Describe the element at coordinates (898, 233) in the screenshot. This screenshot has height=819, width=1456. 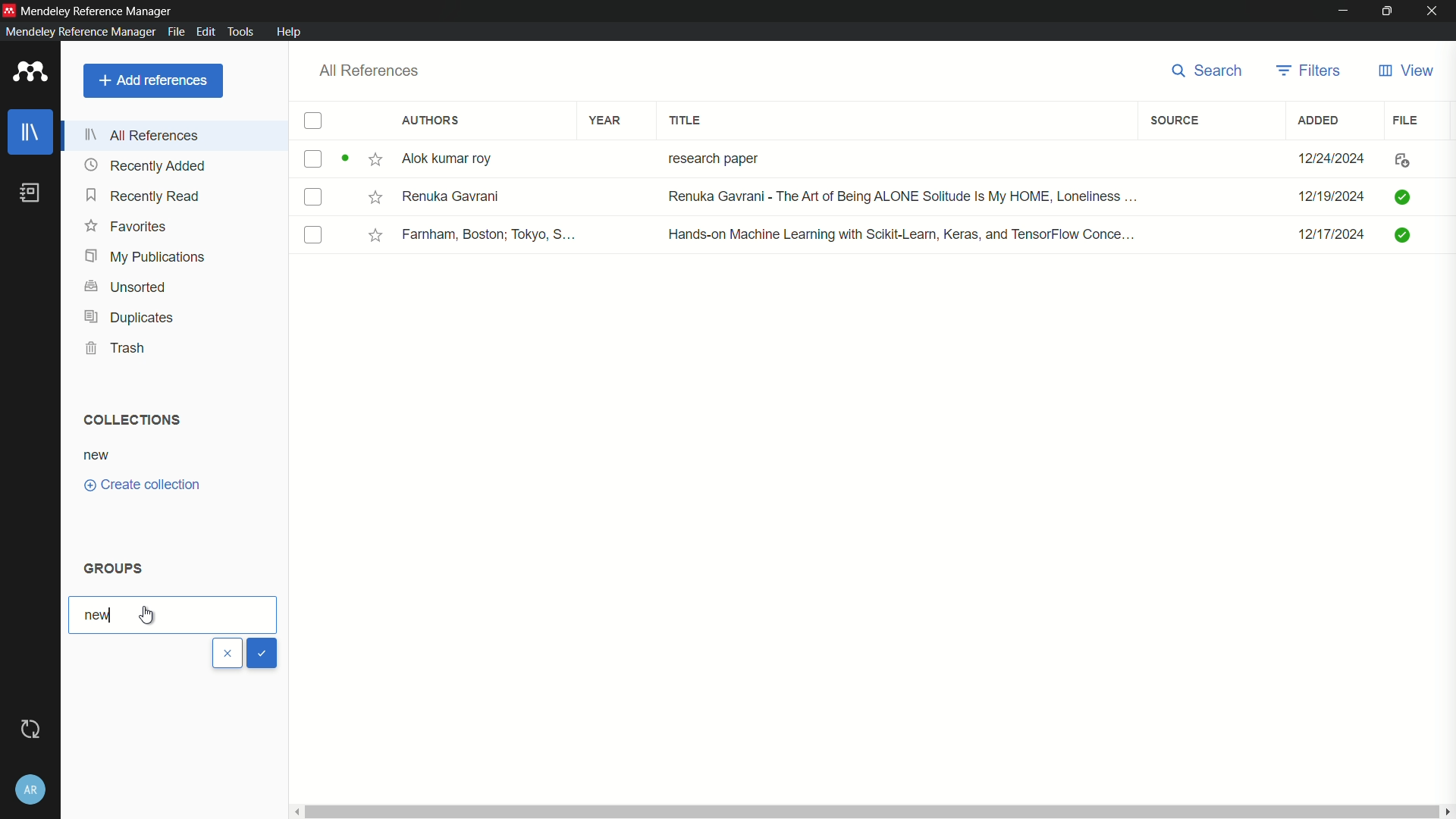
I see `Hands on Machine Learning...` at that location.